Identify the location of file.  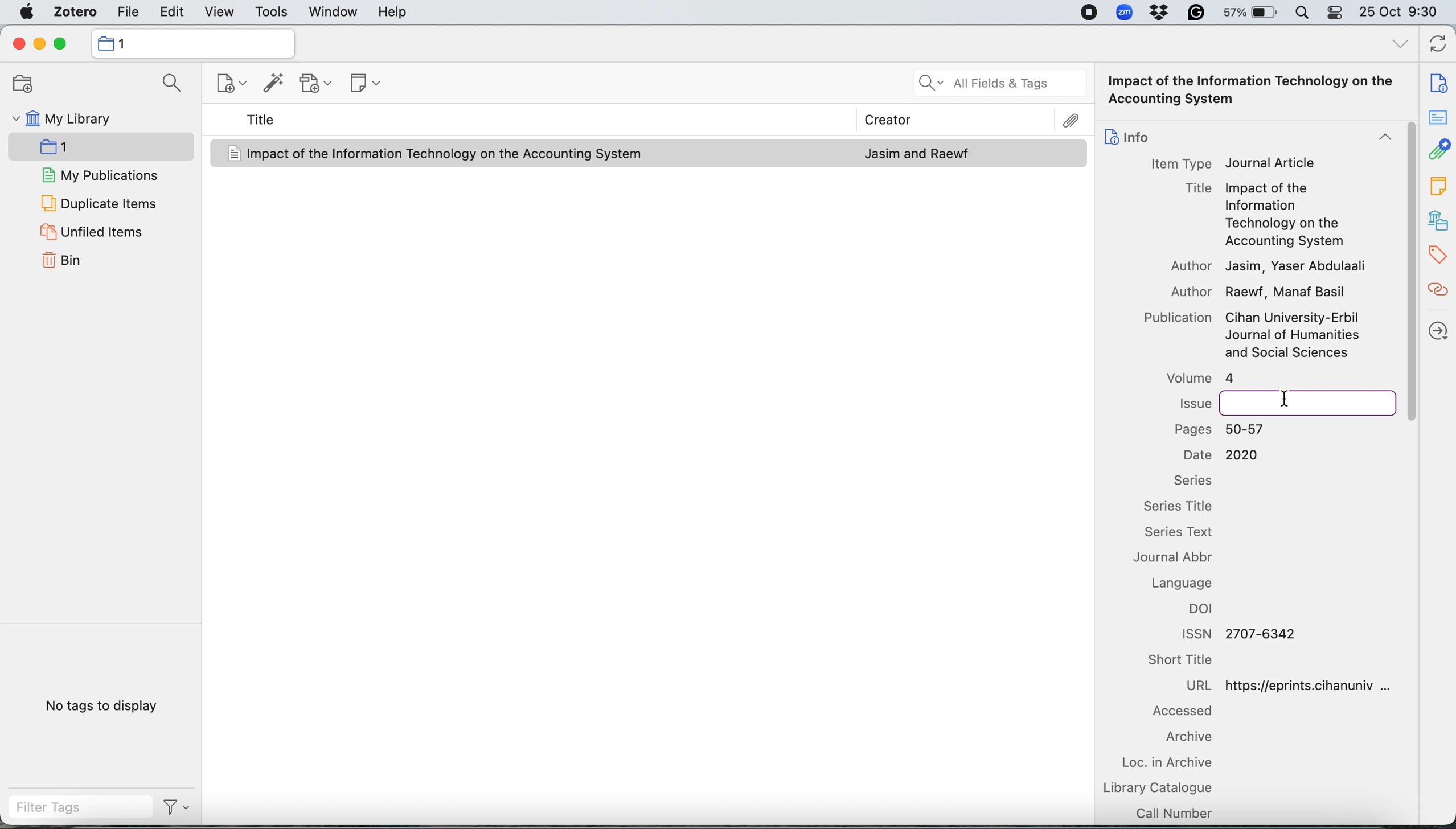
(127, 11).